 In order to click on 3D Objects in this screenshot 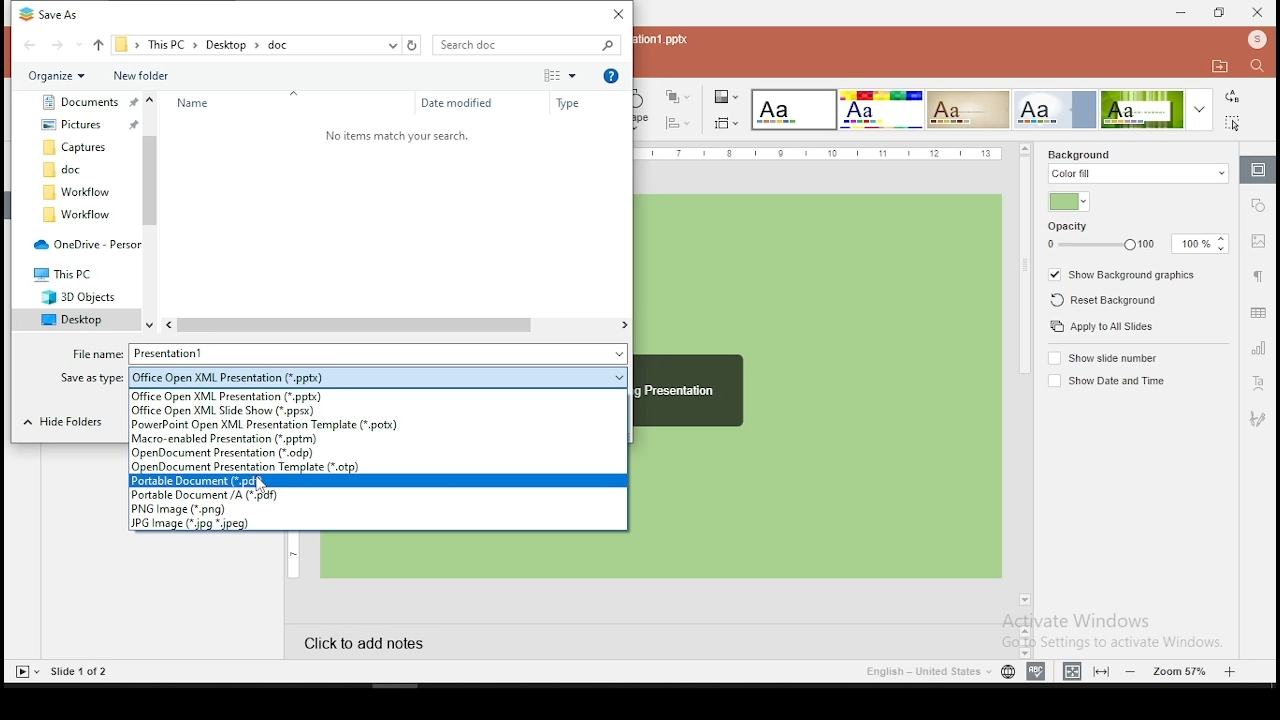, I will do `click(73, 298)`.